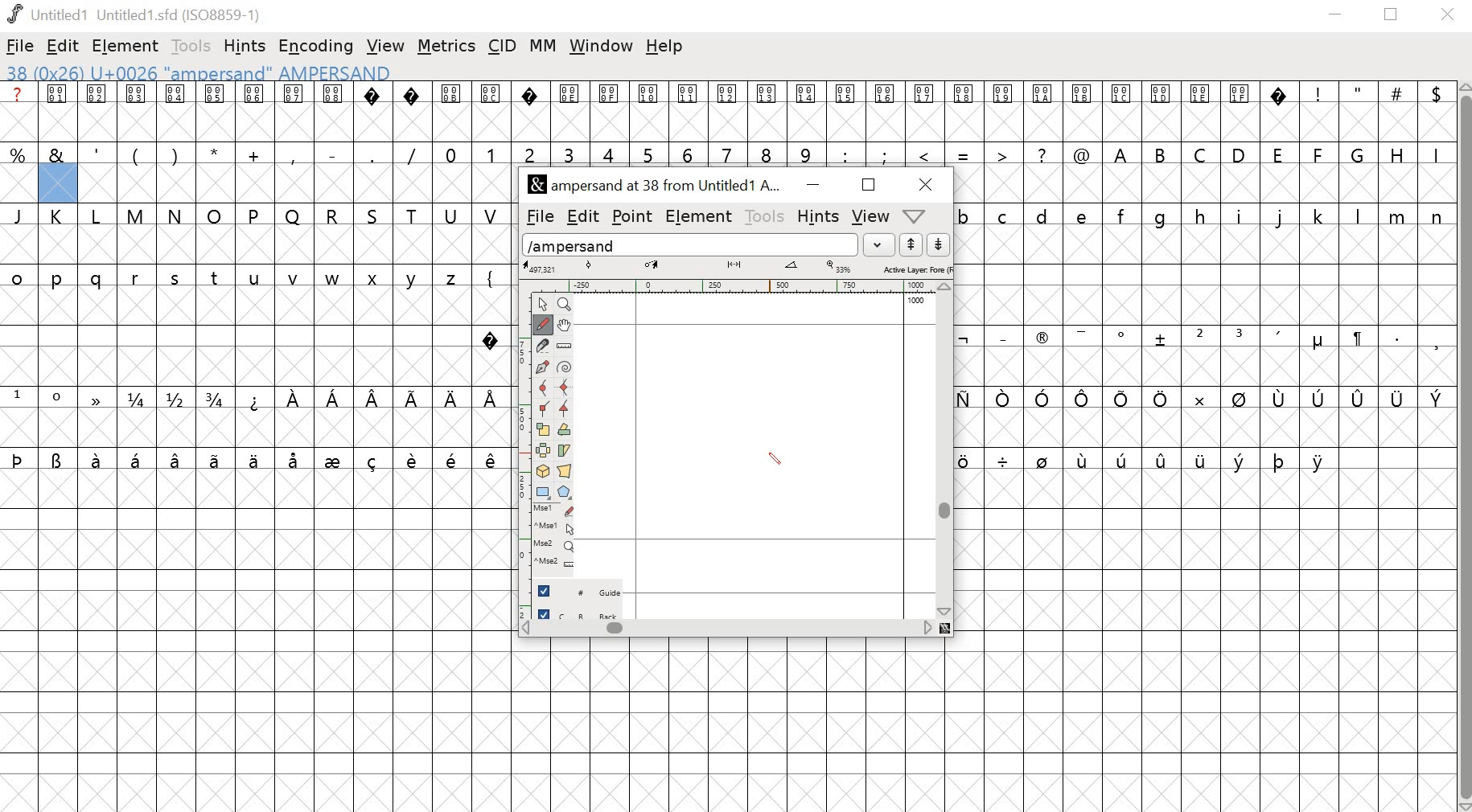  Describe the element at coordinates (414, 458) in the screenshot. I see `symbol` at that location.